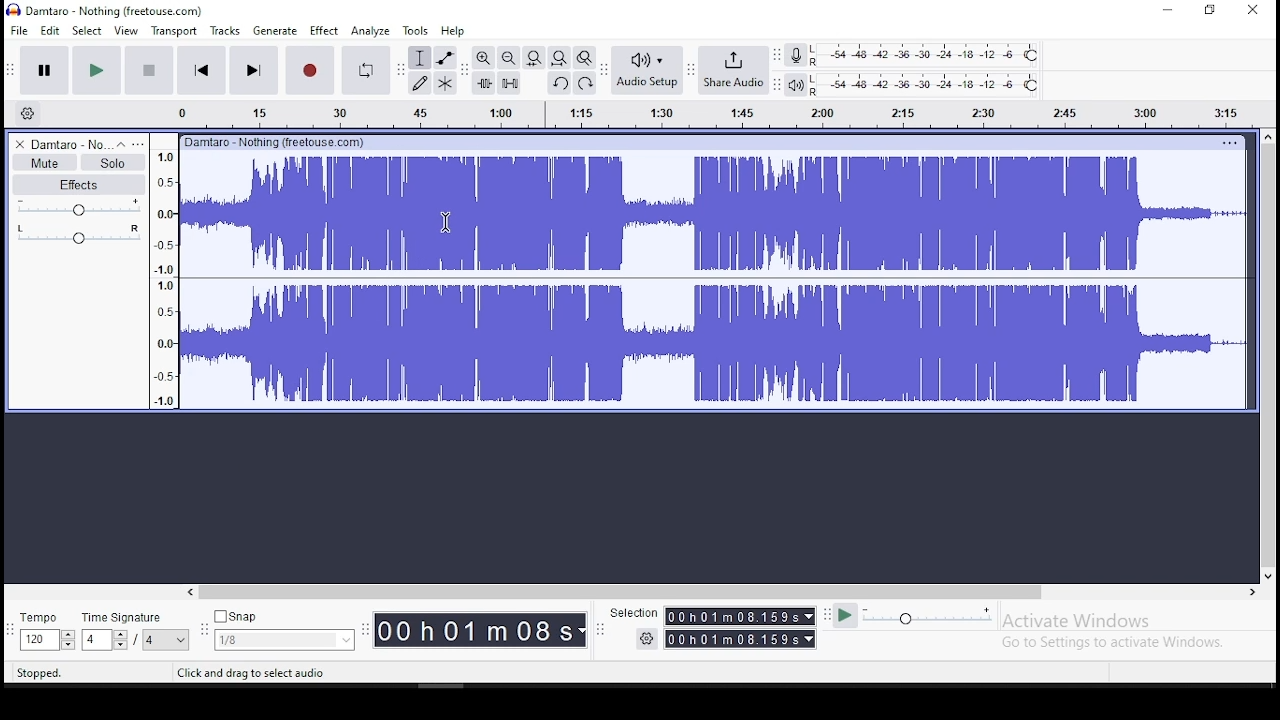 The image size is (1280, 720). What do you see at coordinates (161, 280) in the screenshot?
I see `` at bounding box center [161, 280].